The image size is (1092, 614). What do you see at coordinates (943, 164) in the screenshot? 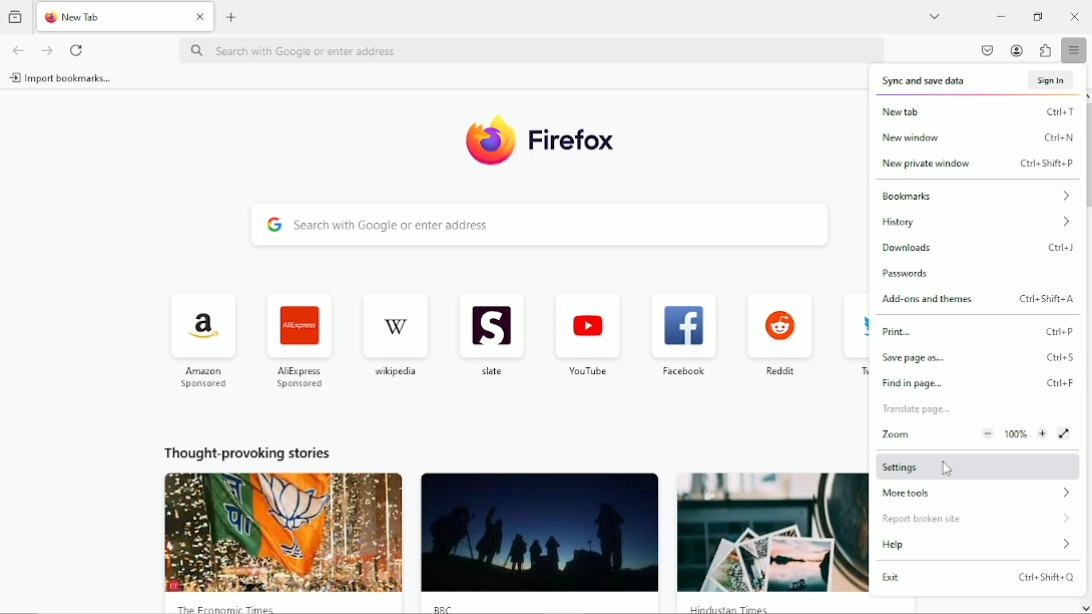
I see `new private window` at bounding box center [943, 164].